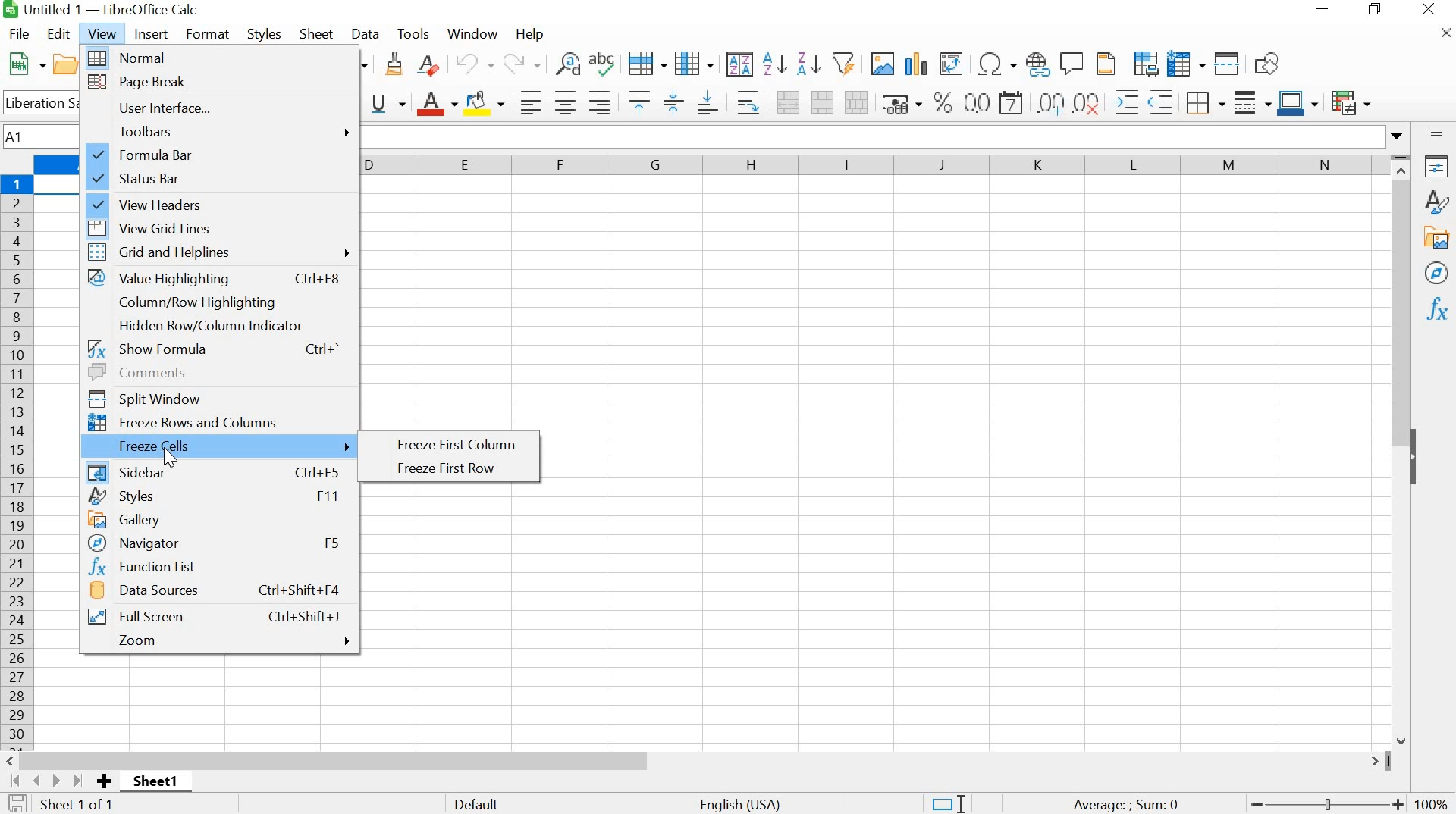  I want to click on STATUS BAR, so click(219, 178).